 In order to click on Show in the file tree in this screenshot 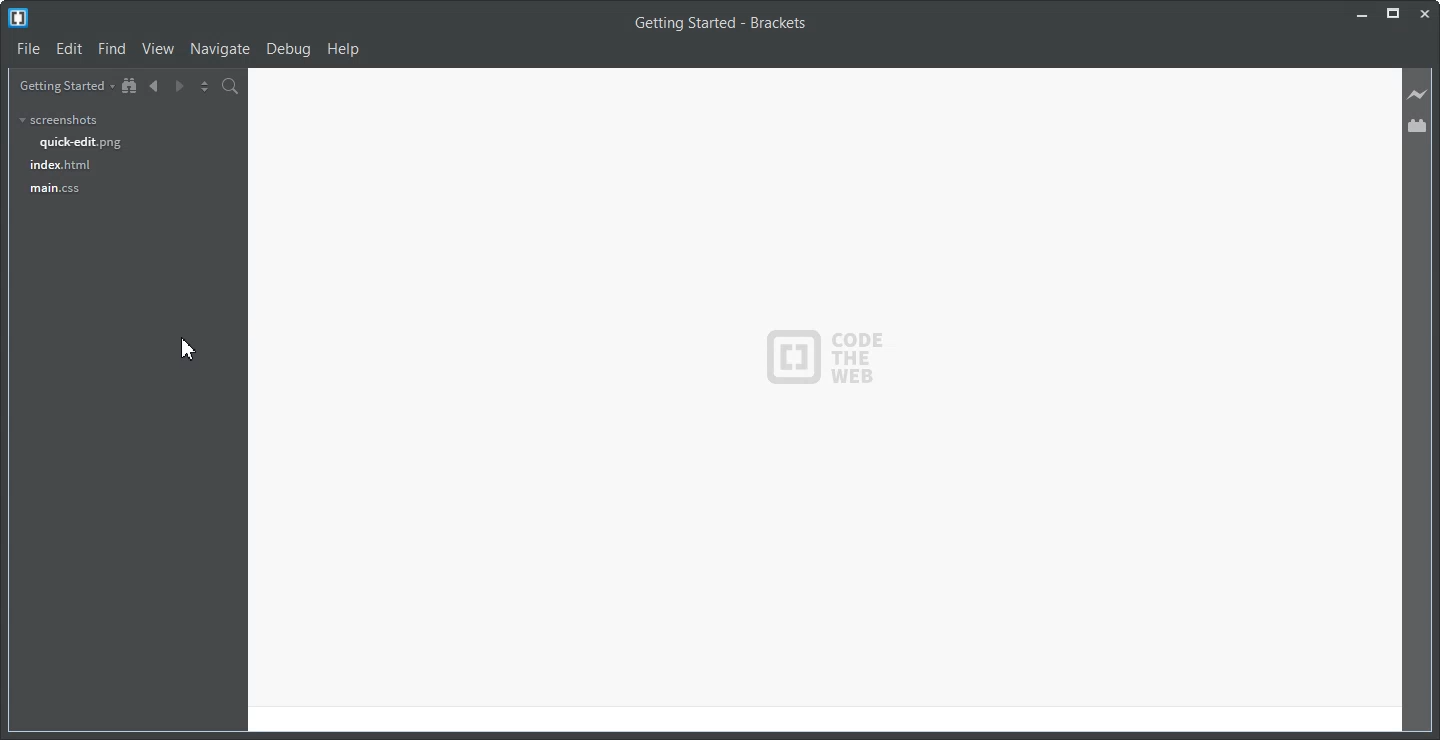, I will do `click(130, 85)`.